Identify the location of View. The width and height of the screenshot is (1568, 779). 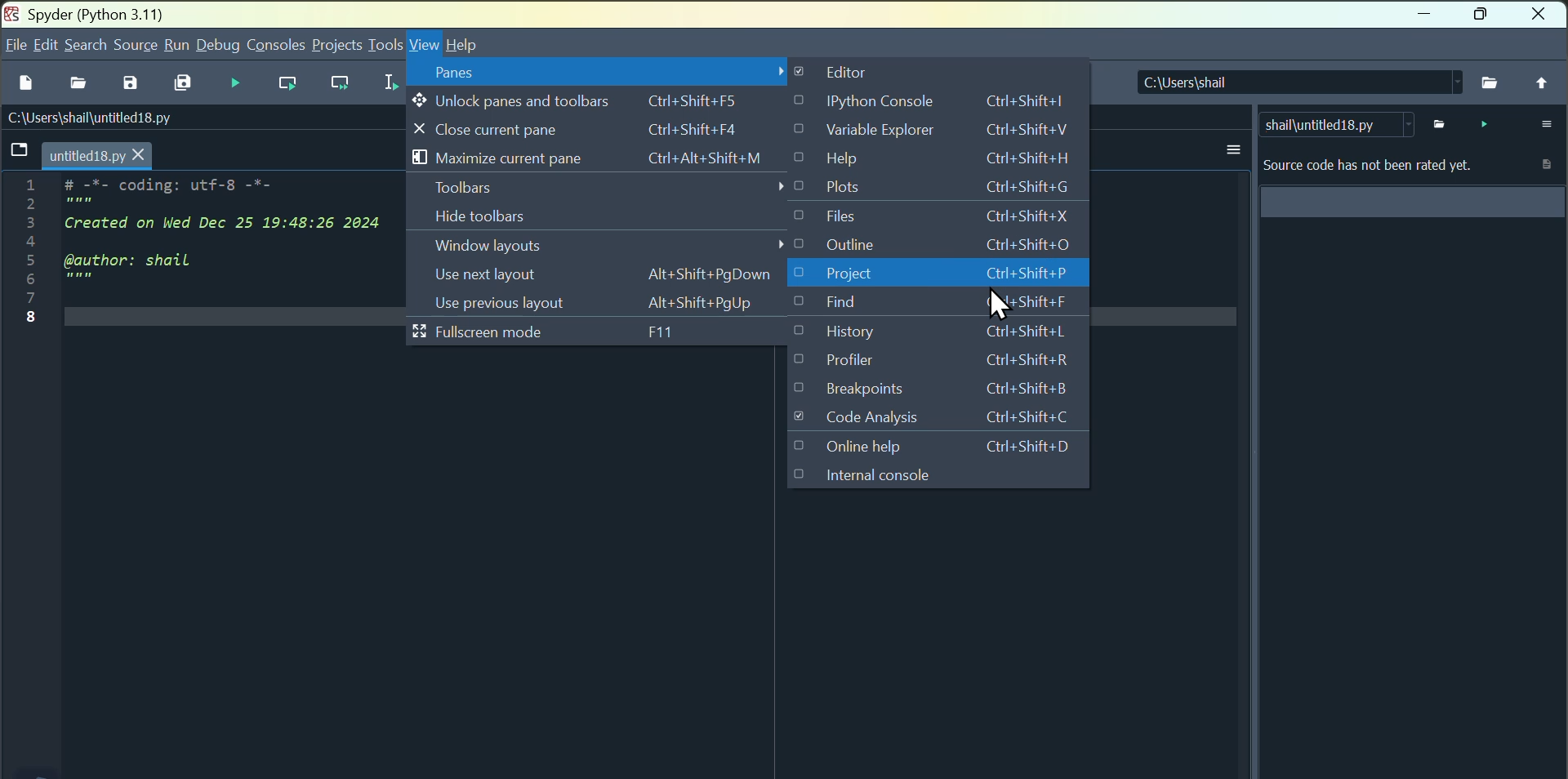
(425, 45).